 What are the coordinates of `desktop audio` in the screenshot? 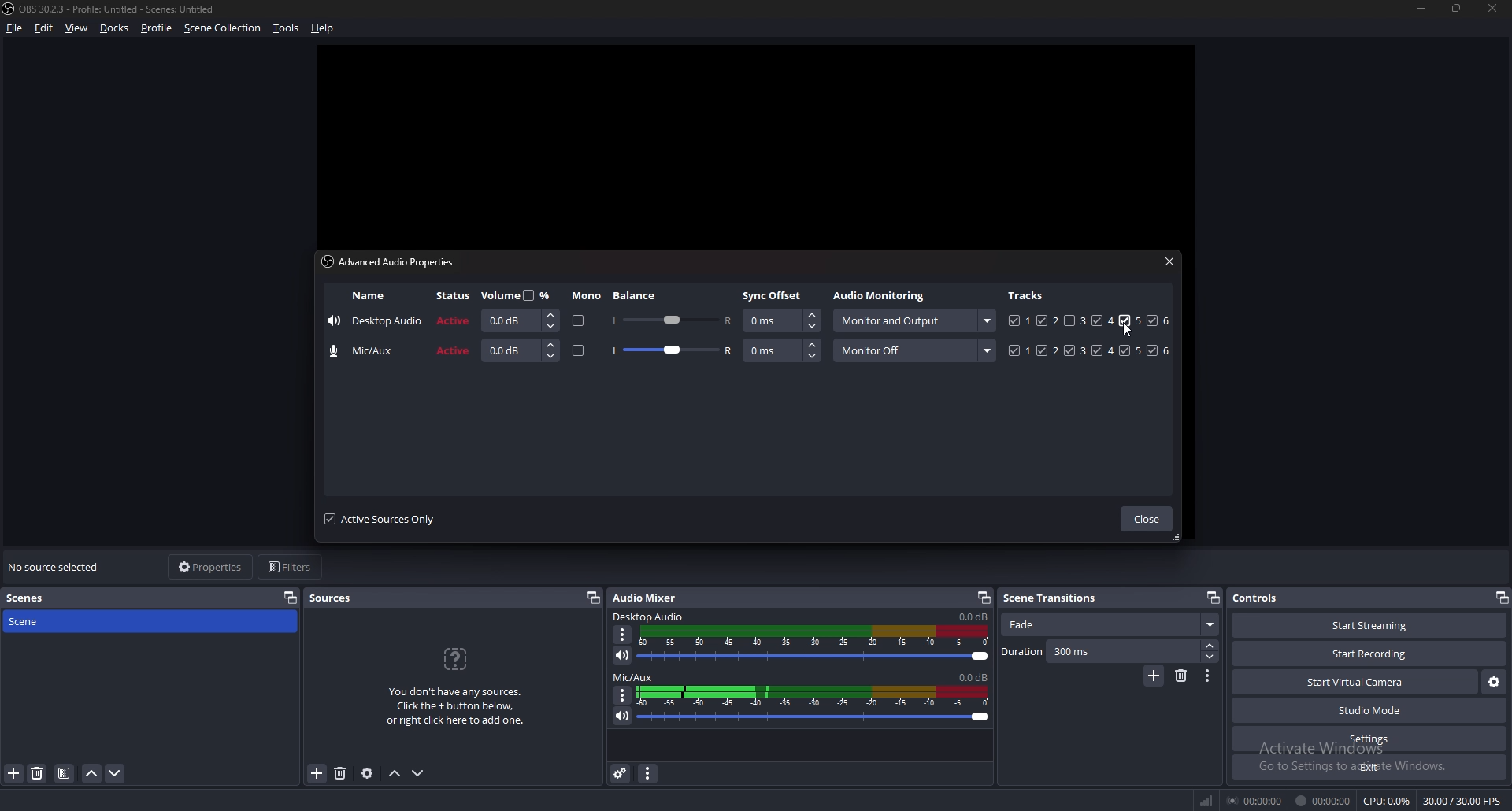 It's located at (375, 323).